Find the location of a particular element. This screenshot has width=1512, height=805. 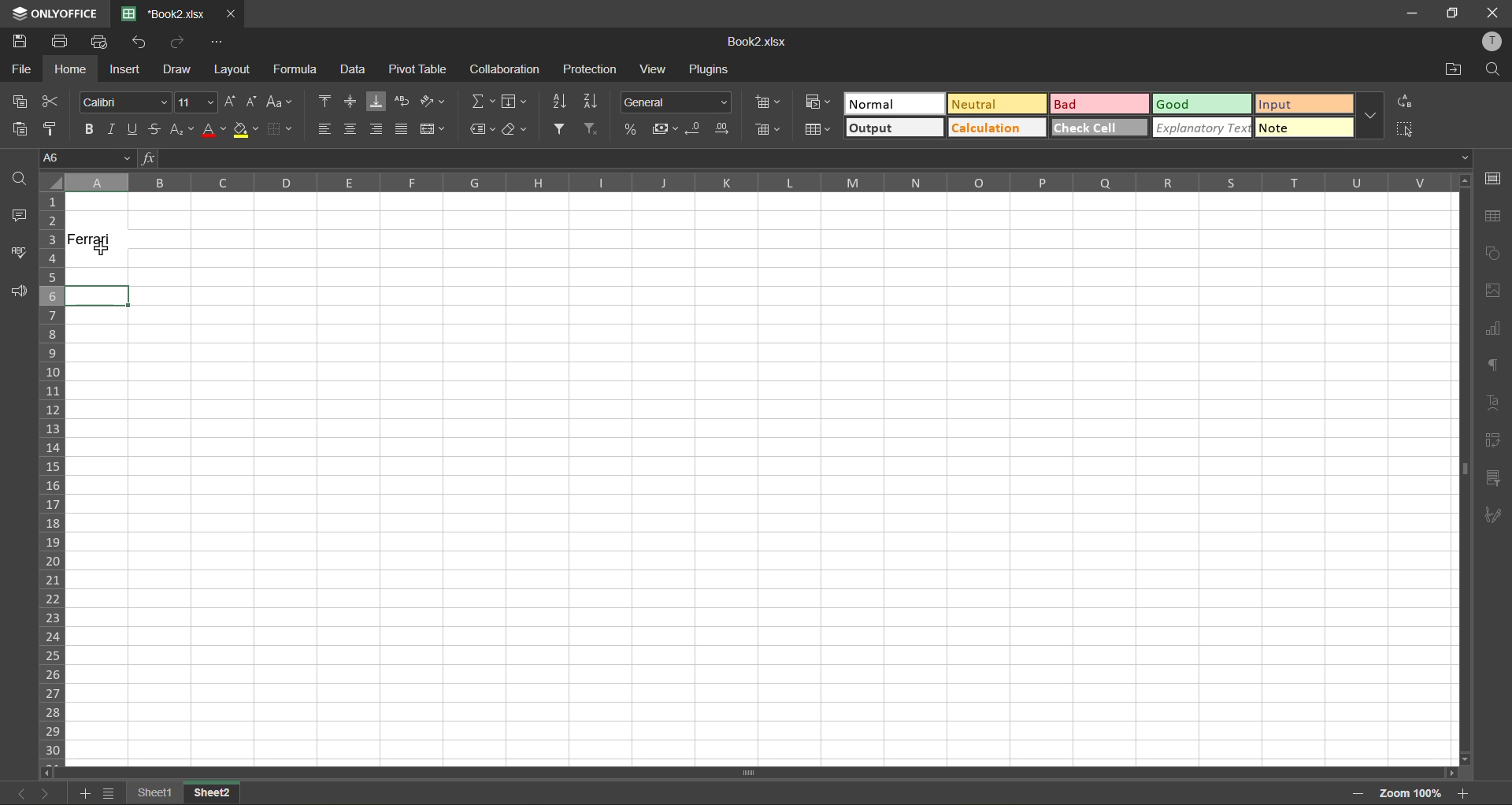

fields is located at coordinates (514, 101).